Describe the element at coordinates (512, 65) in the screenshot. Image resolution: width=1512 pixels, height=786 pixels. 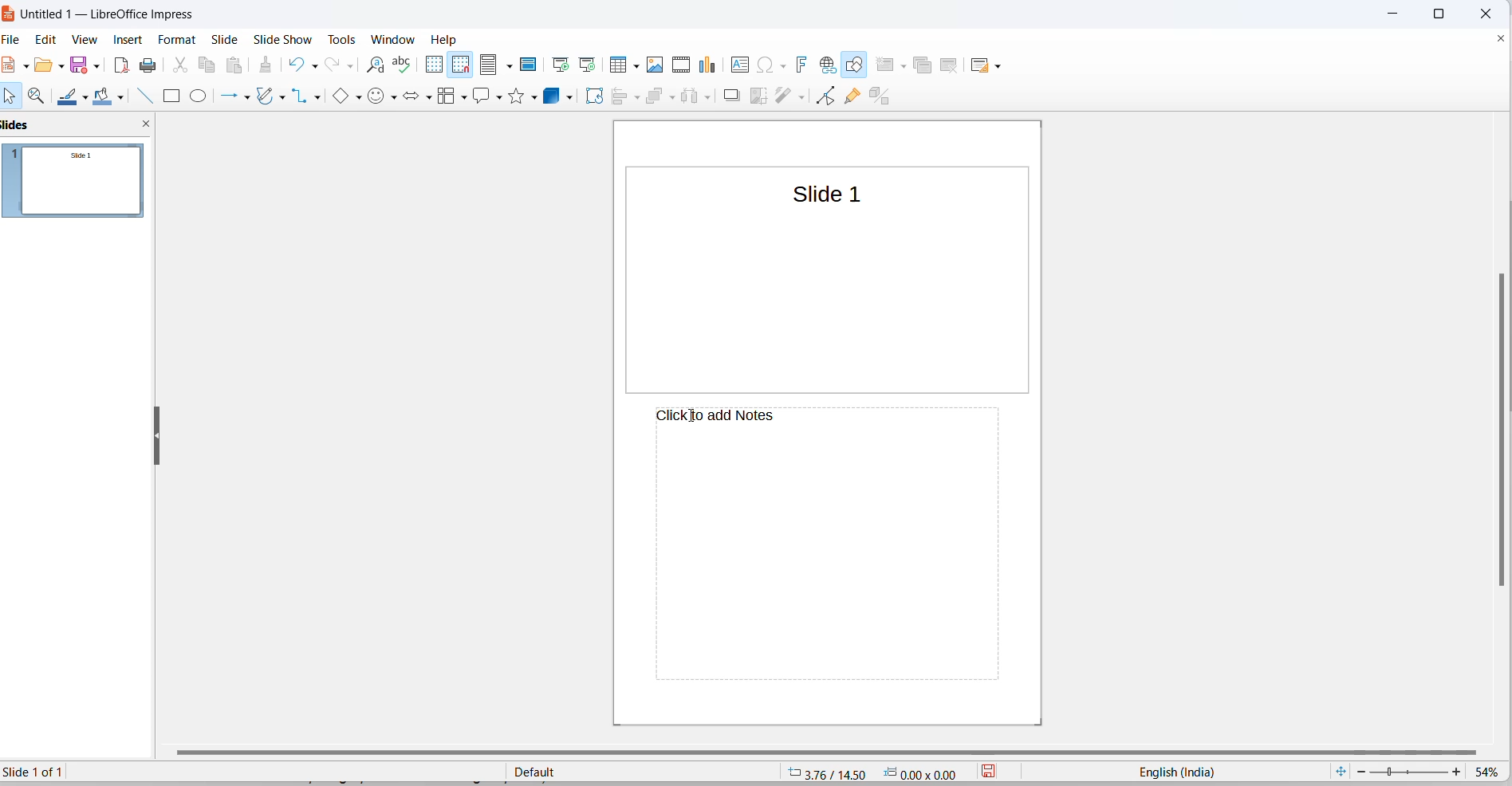
I see `display views options dropdown button` at that location.